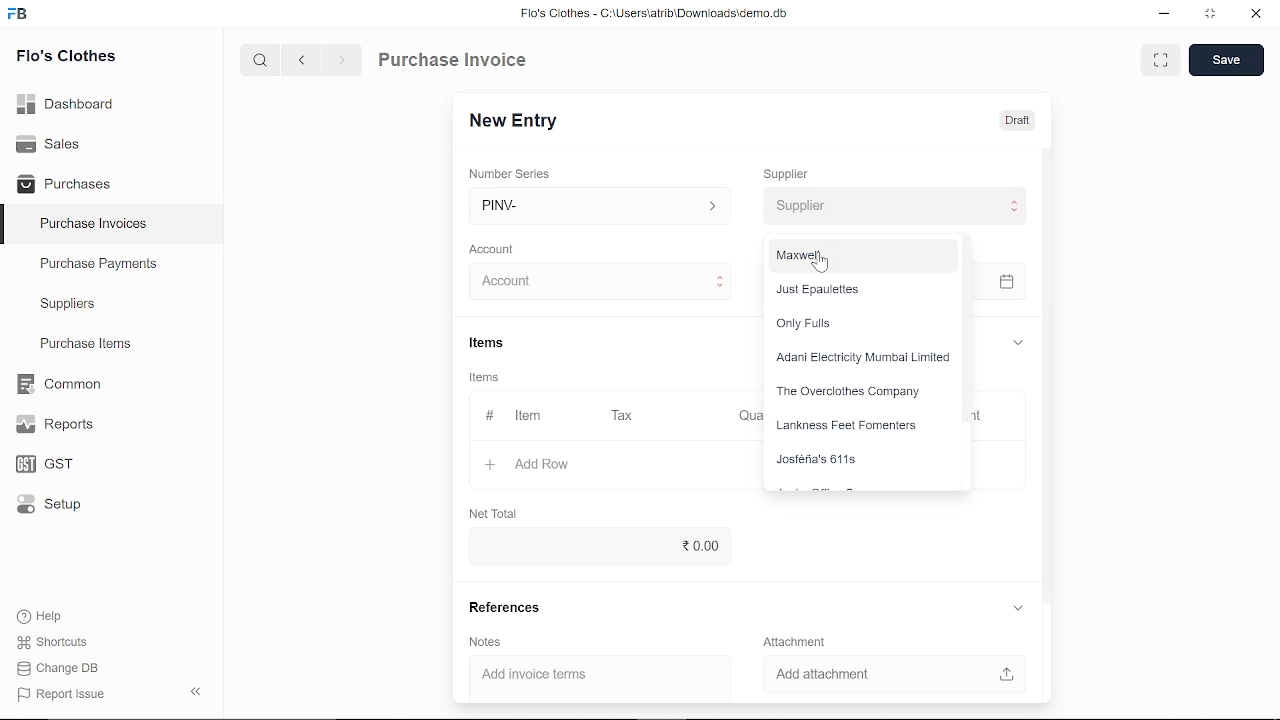 Image resolution: width=1280 pixels, height=720 pixels. What do you see at coordinates (83, 345) in the screenshot?
I see `Purchase ltems` at bounding box center [83, 345].